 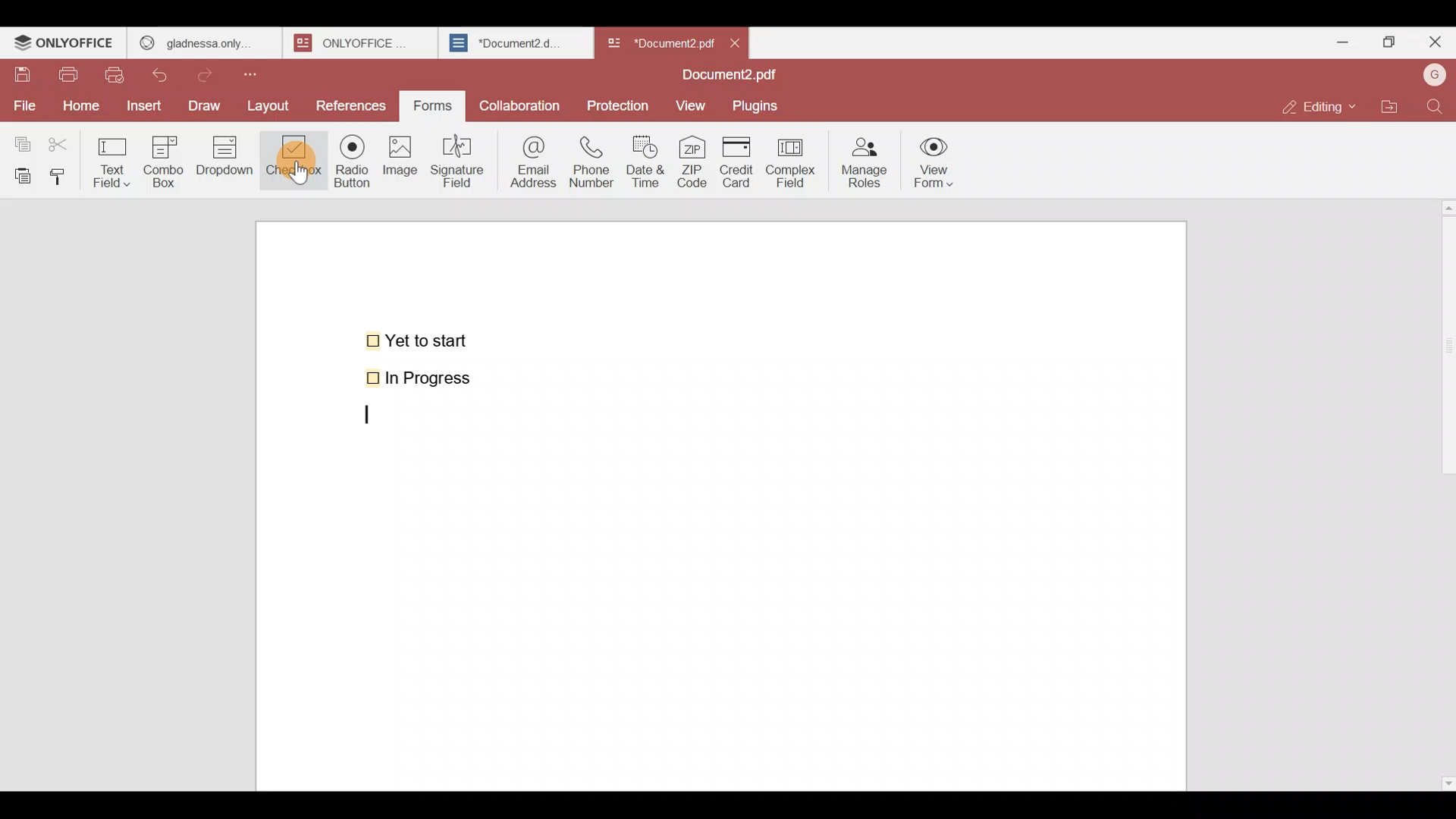 What do you see at coordinates (78, 105) in the screenshot?
I see `Home` at bounding box center [78, 105].